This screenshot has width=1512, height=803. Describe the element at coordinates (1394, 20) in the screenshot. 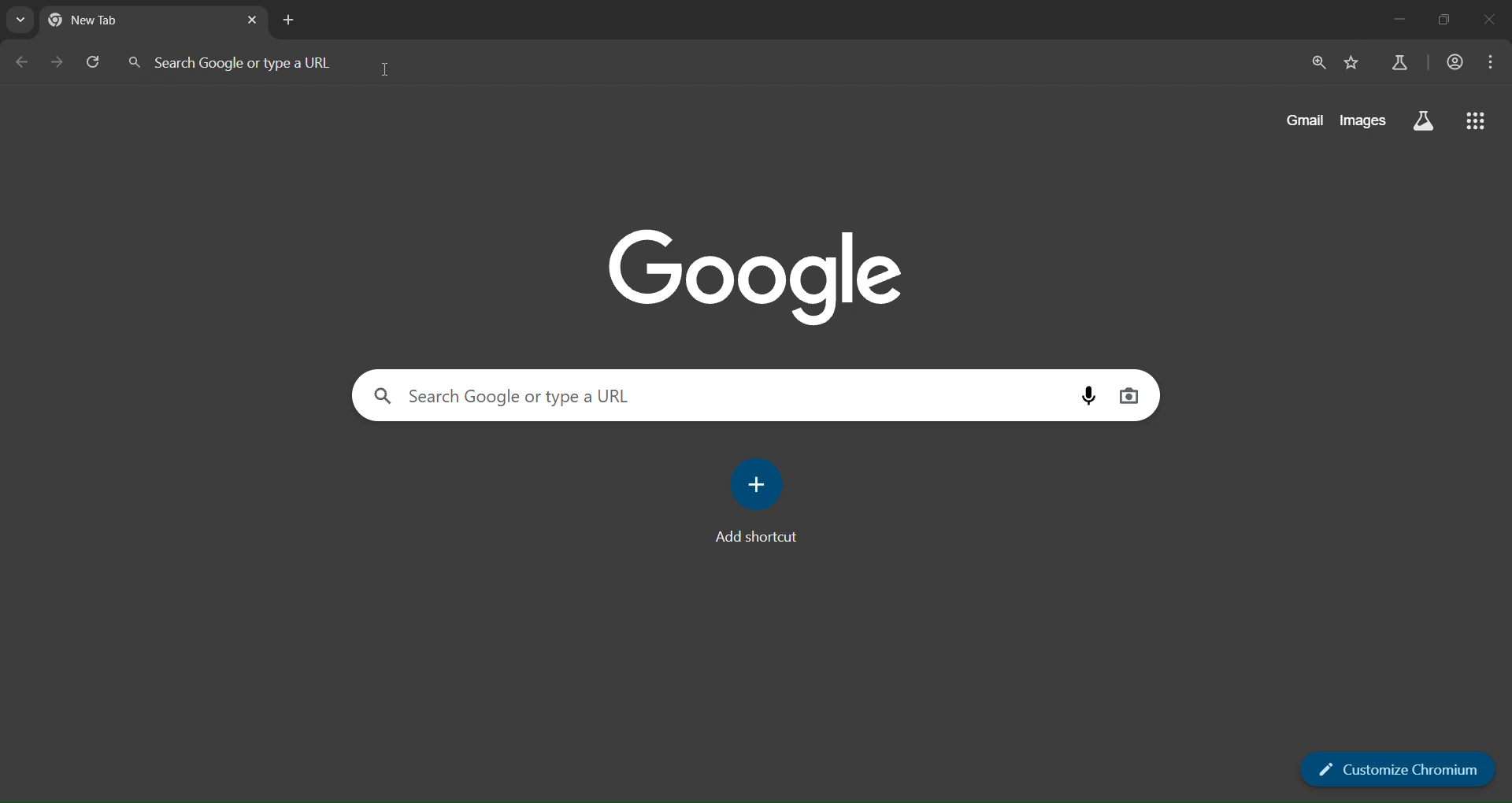

I see `minimize` at that location.